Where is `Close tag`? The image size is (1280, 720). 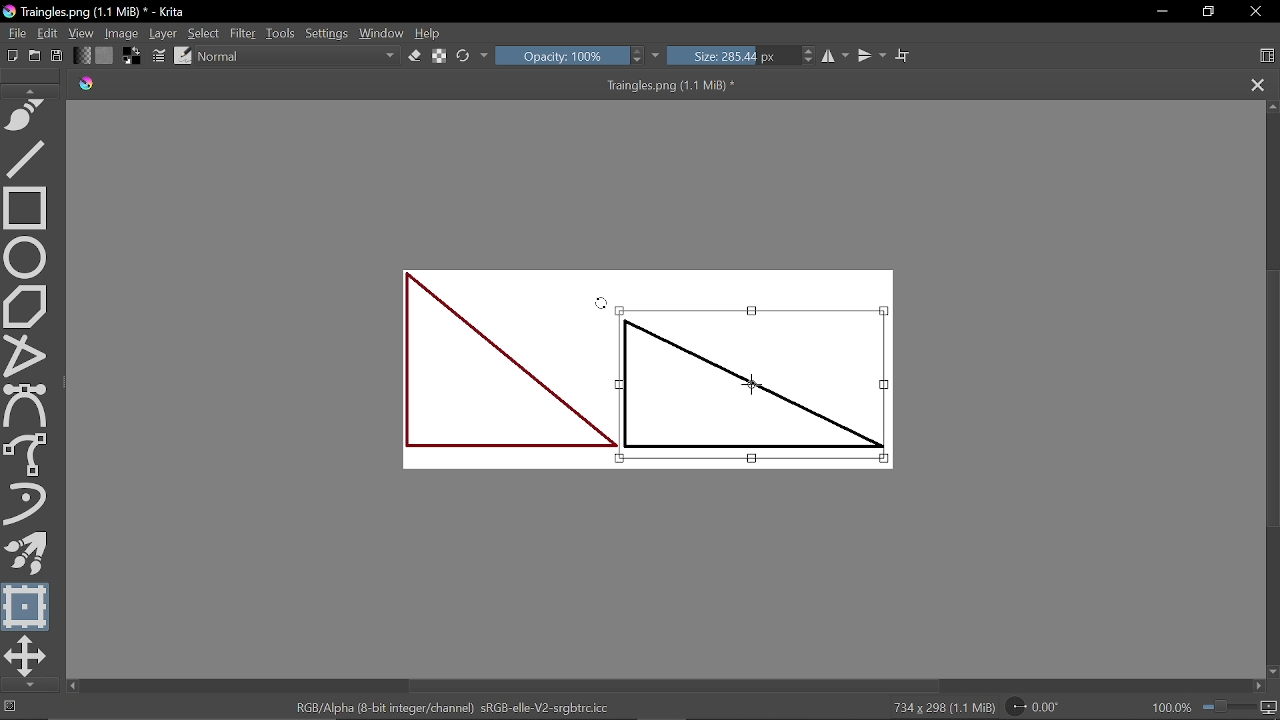
Close tag is located at coordinates (1259, 85).